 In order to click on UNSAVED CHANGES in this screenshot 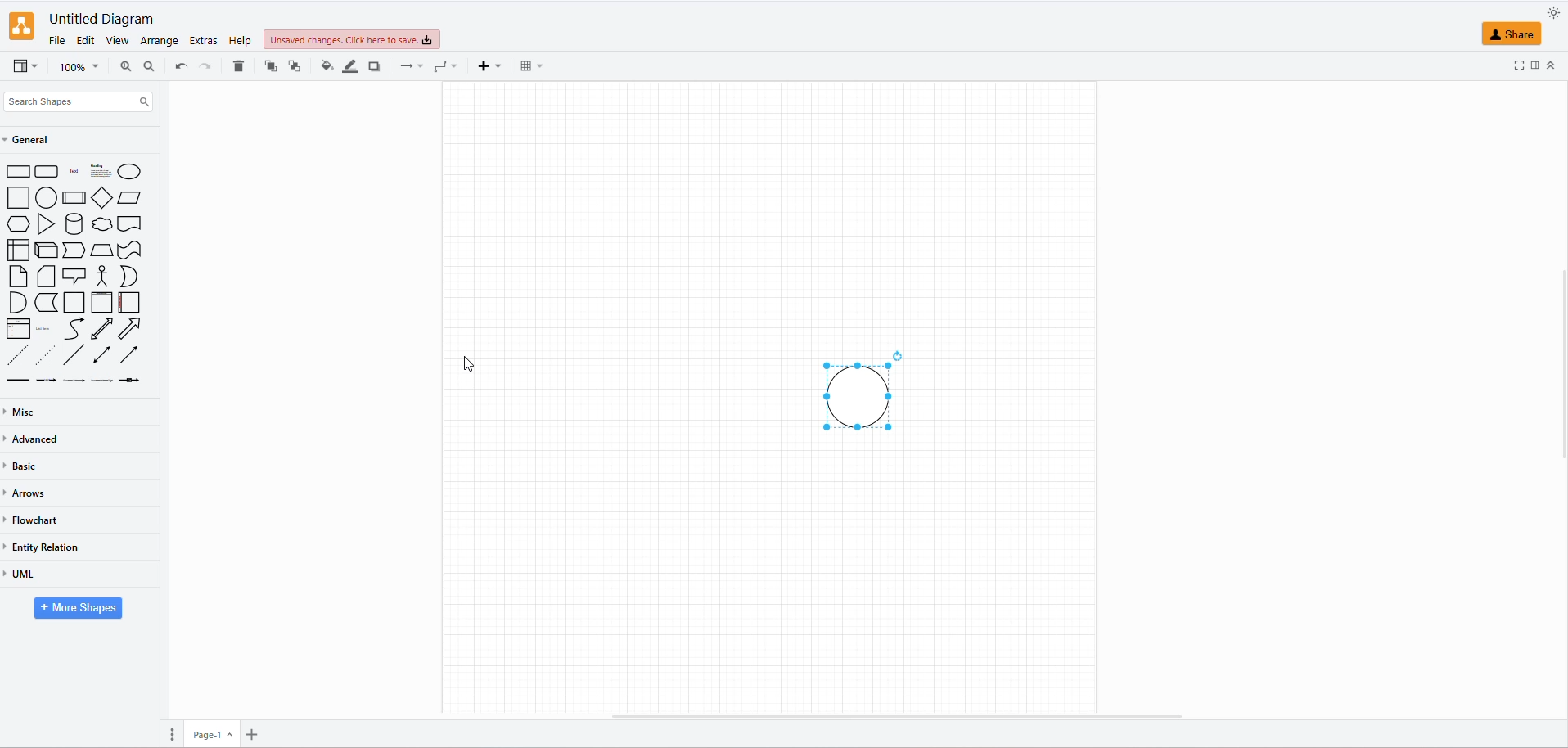, I will do `click(369, 40)`.